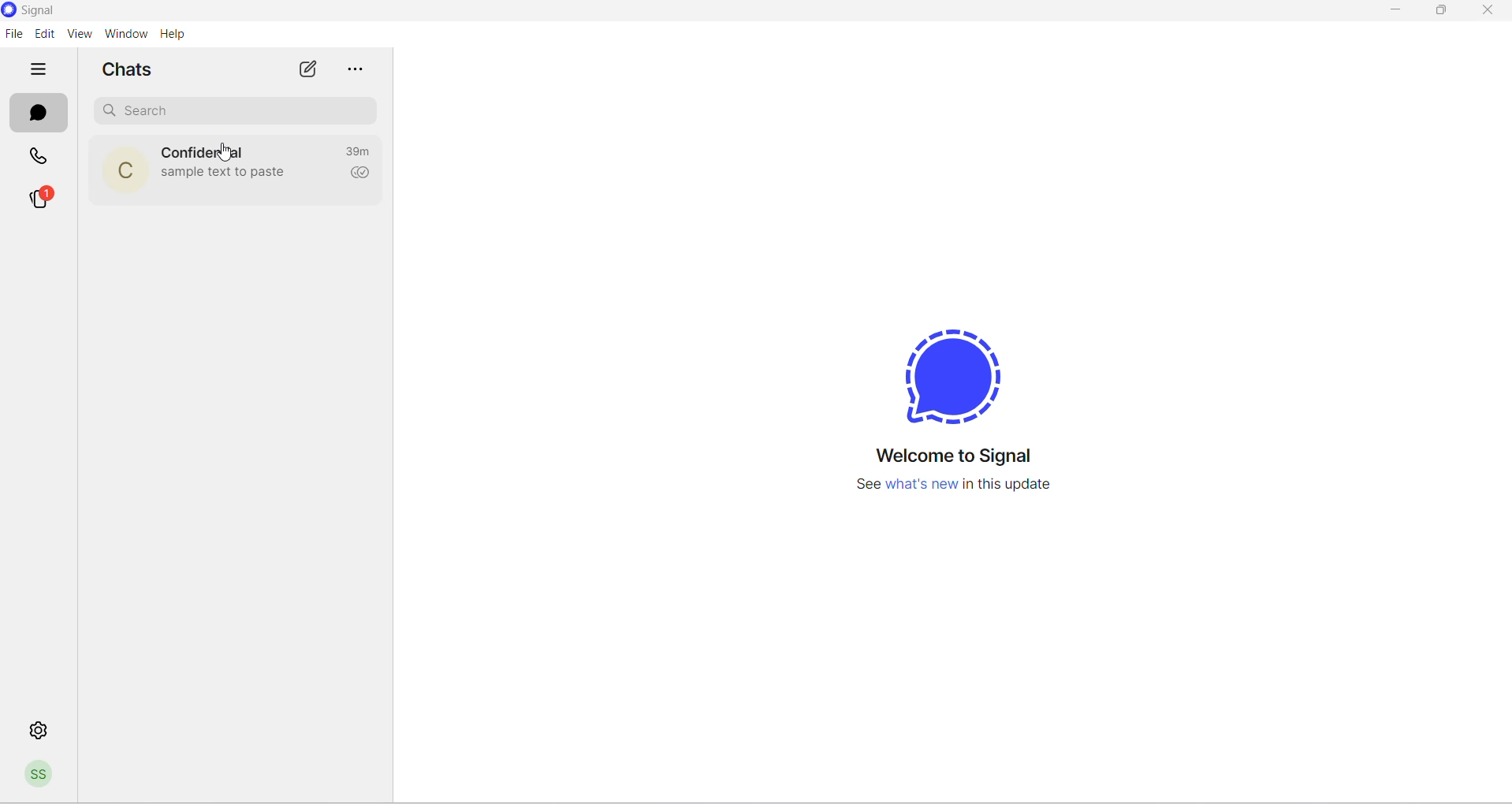 The height and width of the screenshot is (804, 1512). What do you see at coordinates (239, 109) in the screenshot?
I see `search chat` at bounding box center [239, 109].